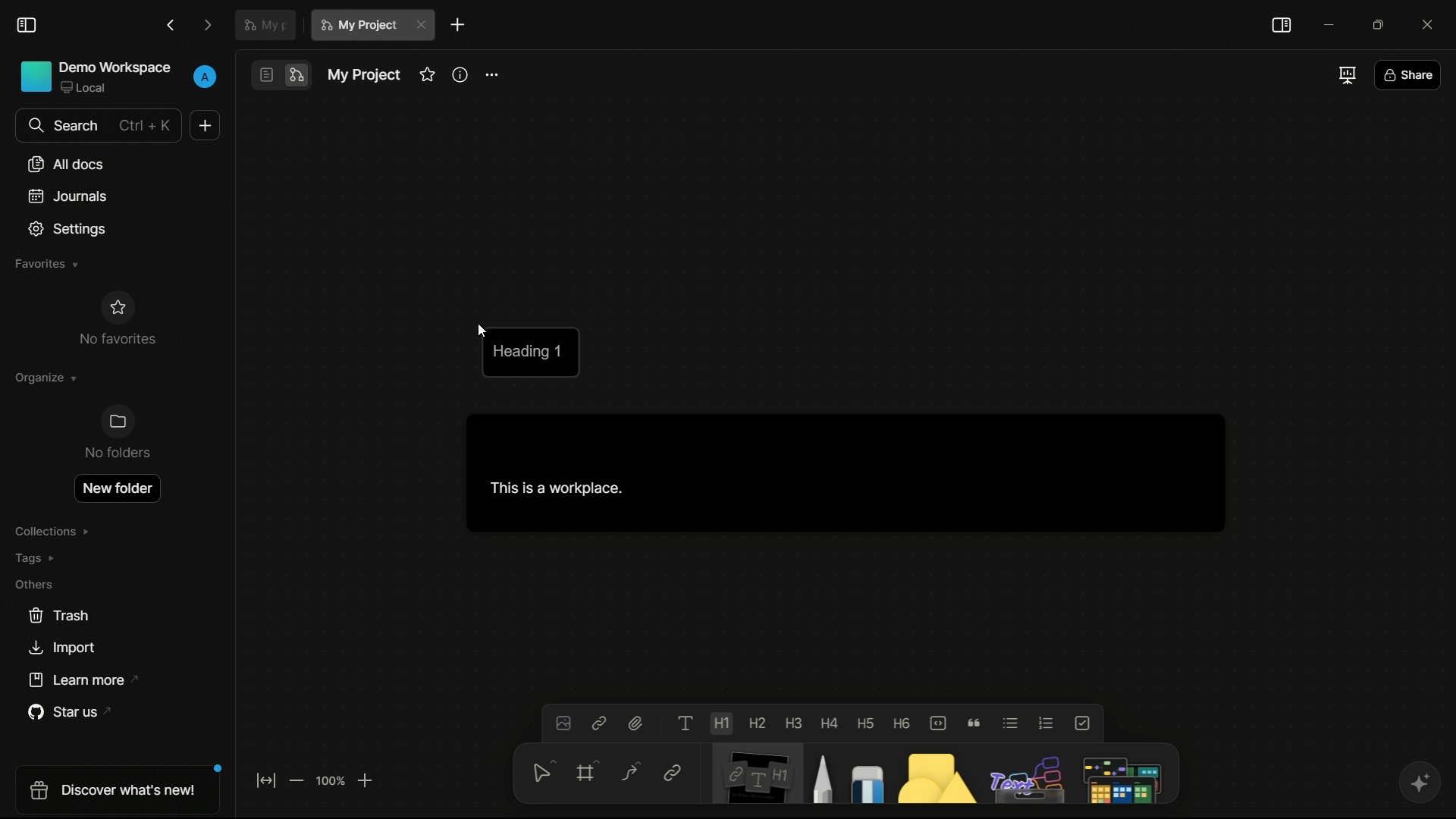 Image resolution: width=1456 pixels, height=819 pixels. I want to click on more tools, so click(1122, 774).